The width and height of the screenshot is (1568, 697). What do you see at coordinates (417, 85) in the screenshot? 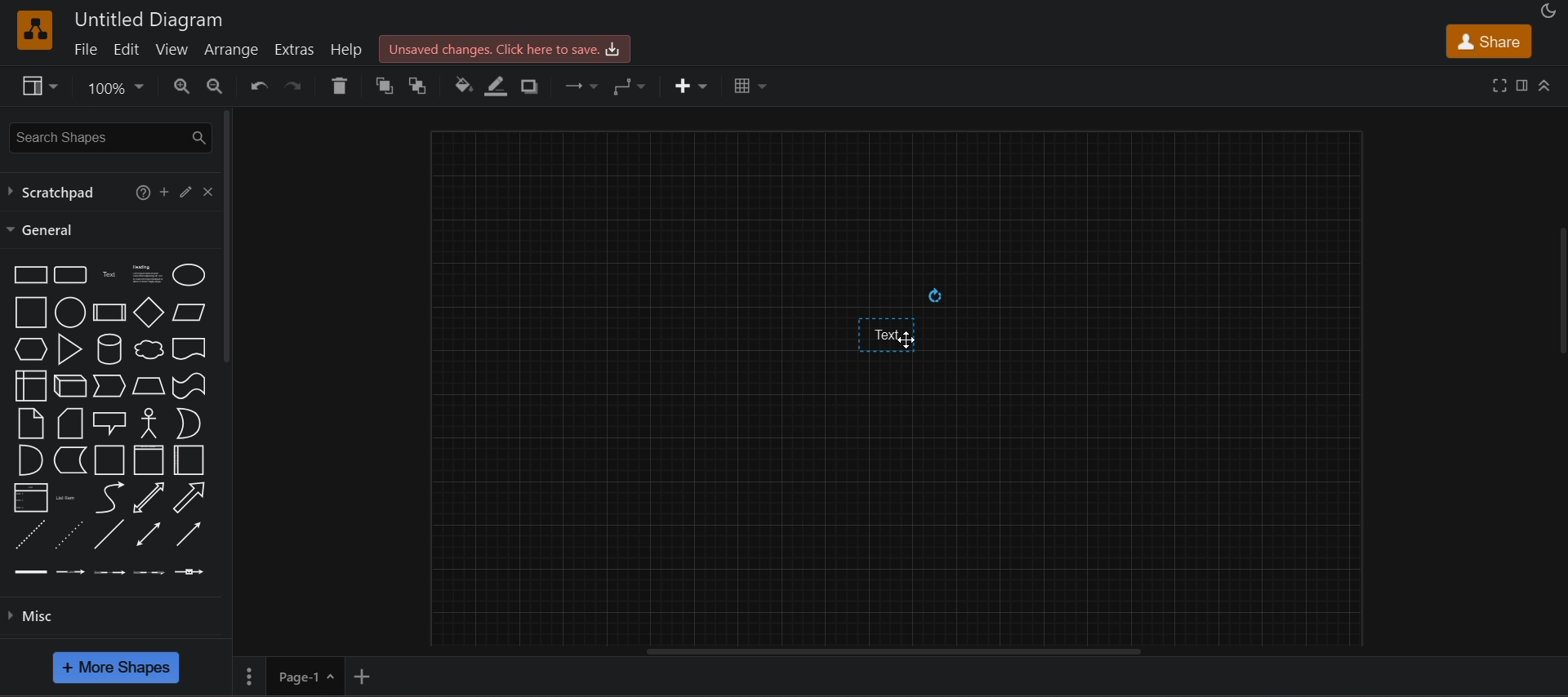
I see `to back` at bounding box center [417, 85].